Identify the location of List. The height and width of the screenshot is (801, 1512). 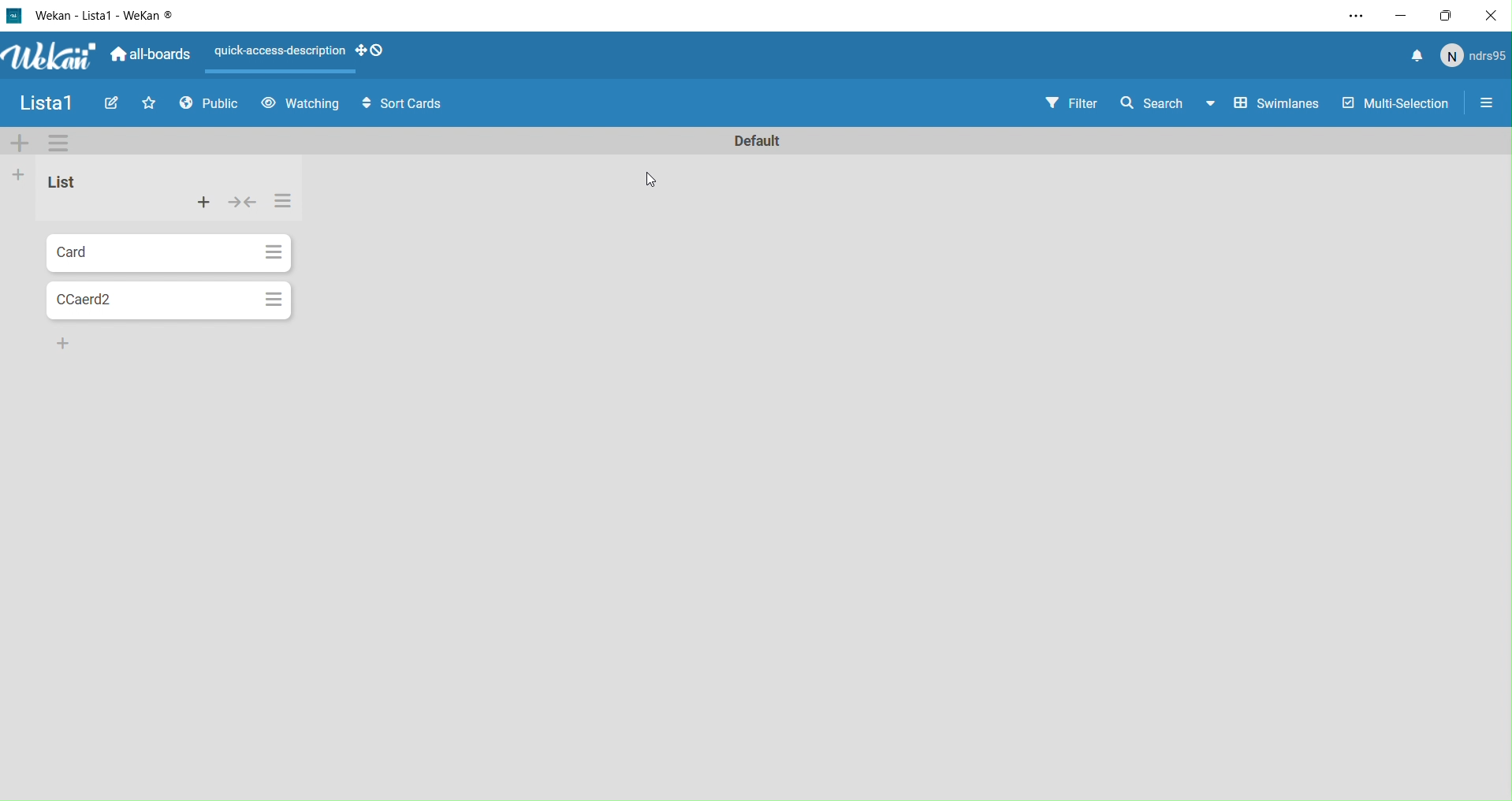
(65, 184).